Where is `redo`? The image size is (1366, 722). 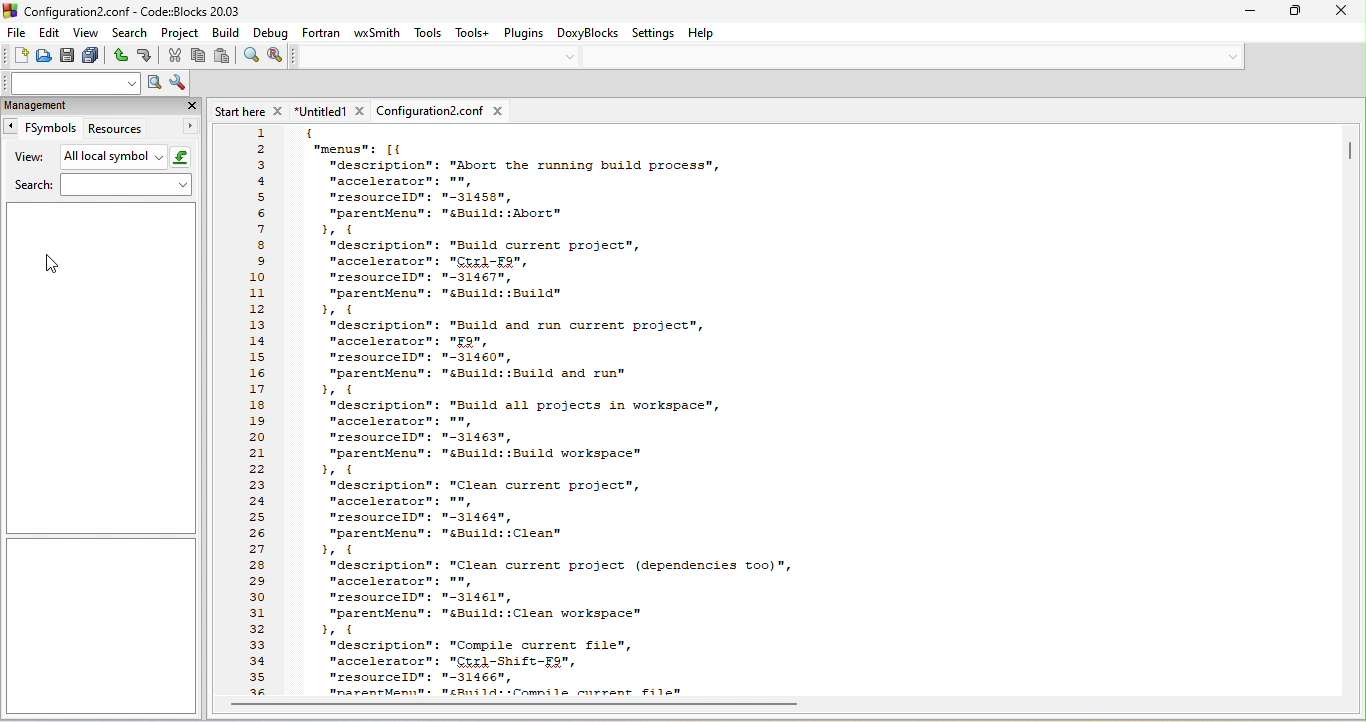 redo is located at coordinates (148, 56).